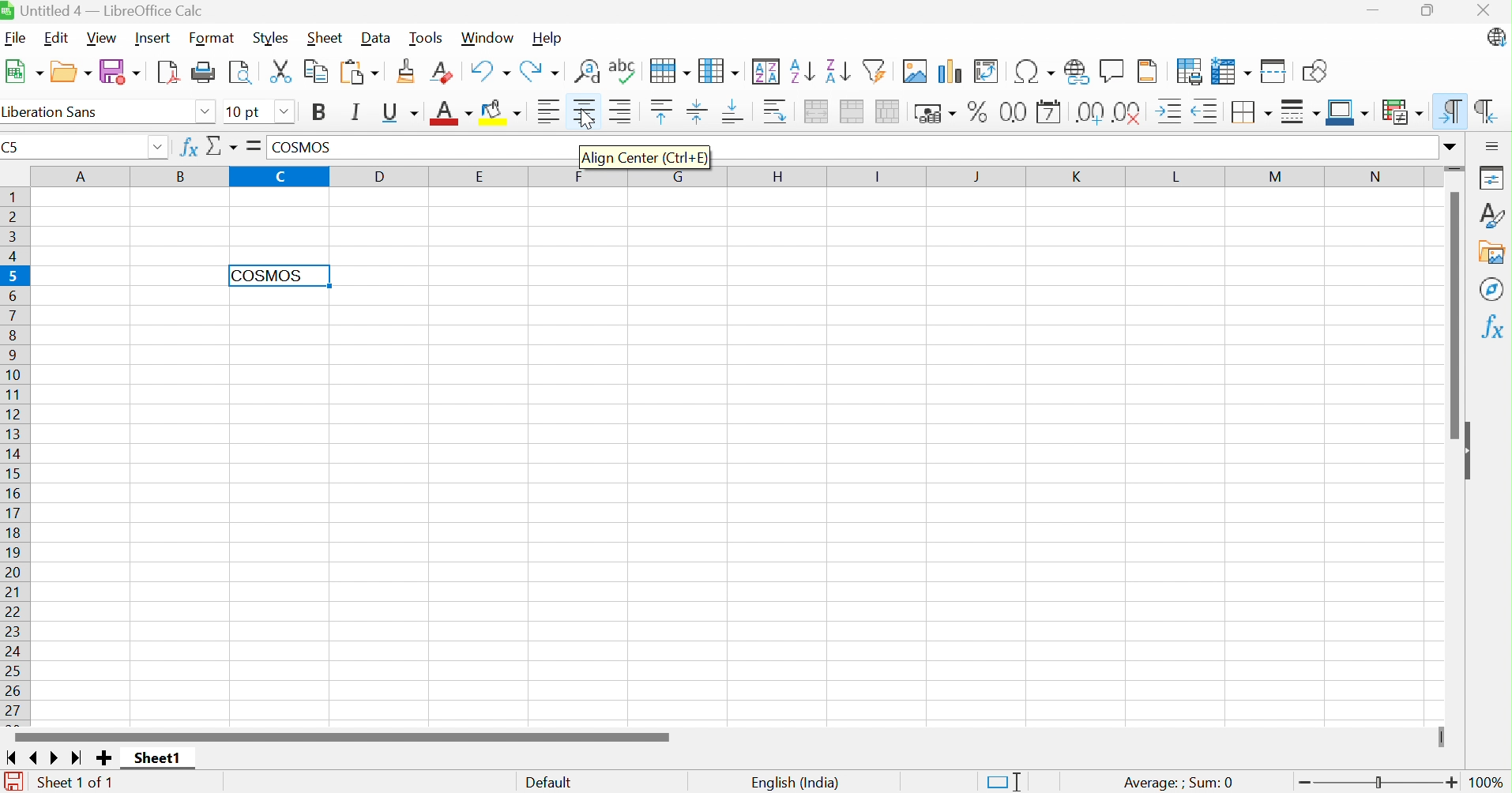 This screenshot has width=1512, height=793. I want to click on Format as Currency, so click(937, 112).